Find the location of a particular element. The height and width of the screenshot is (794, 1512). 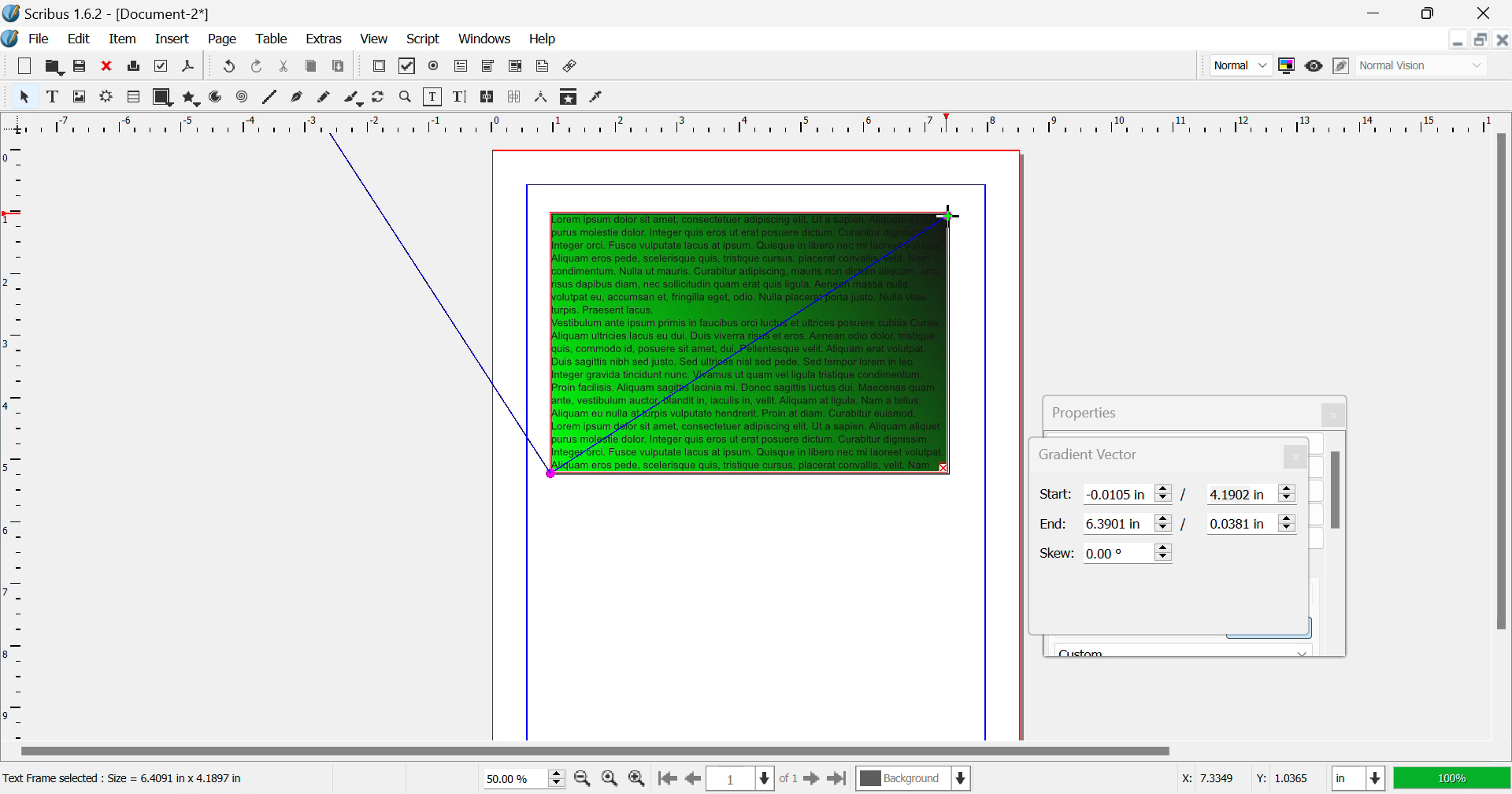

Scroll Bar is located at coordinates (1502, 435).